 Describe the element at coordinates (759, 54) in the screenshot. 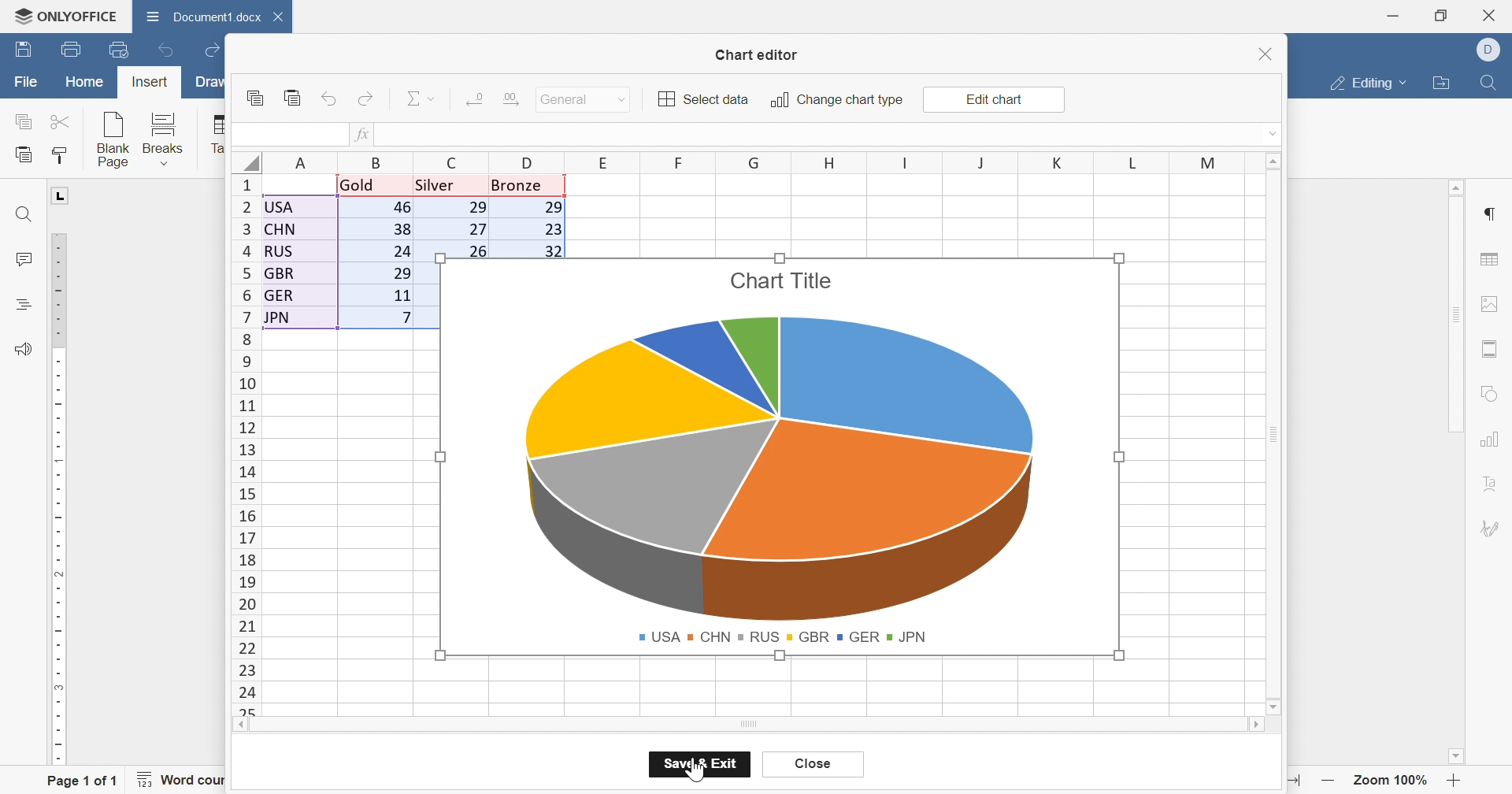

I see `Chart editor` at that location.